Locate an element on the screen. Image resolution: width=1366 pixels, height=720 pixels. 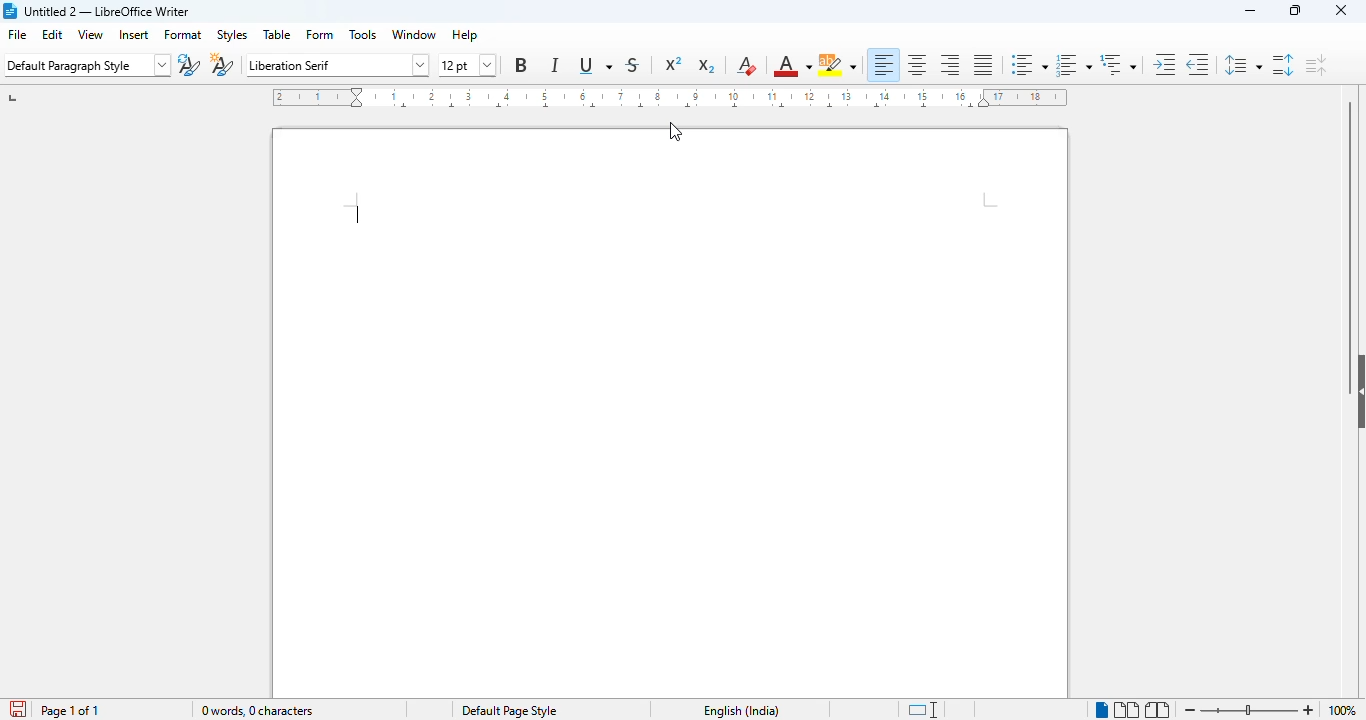
vertical scroll bar is located at coordinates (1349, 222).